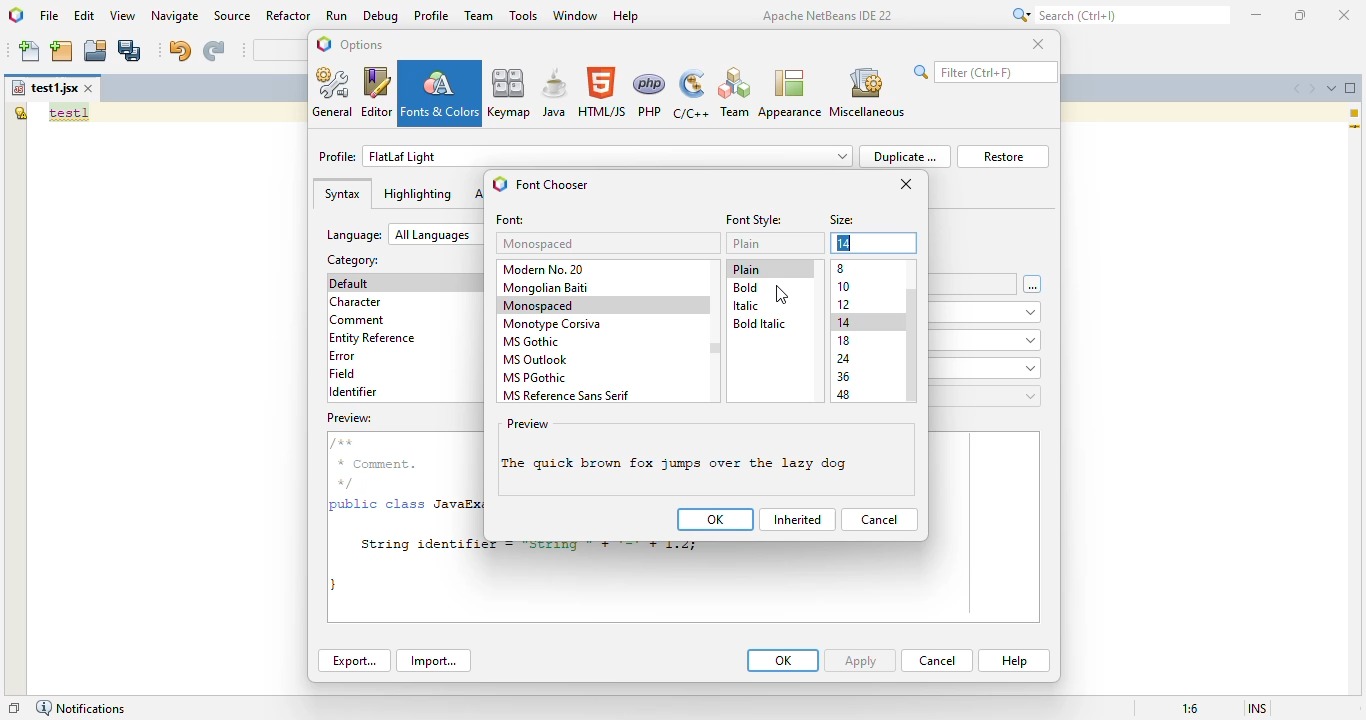 The height and width of the screenshot is (720, 1366). I want to click on /**, so click(344, 443).